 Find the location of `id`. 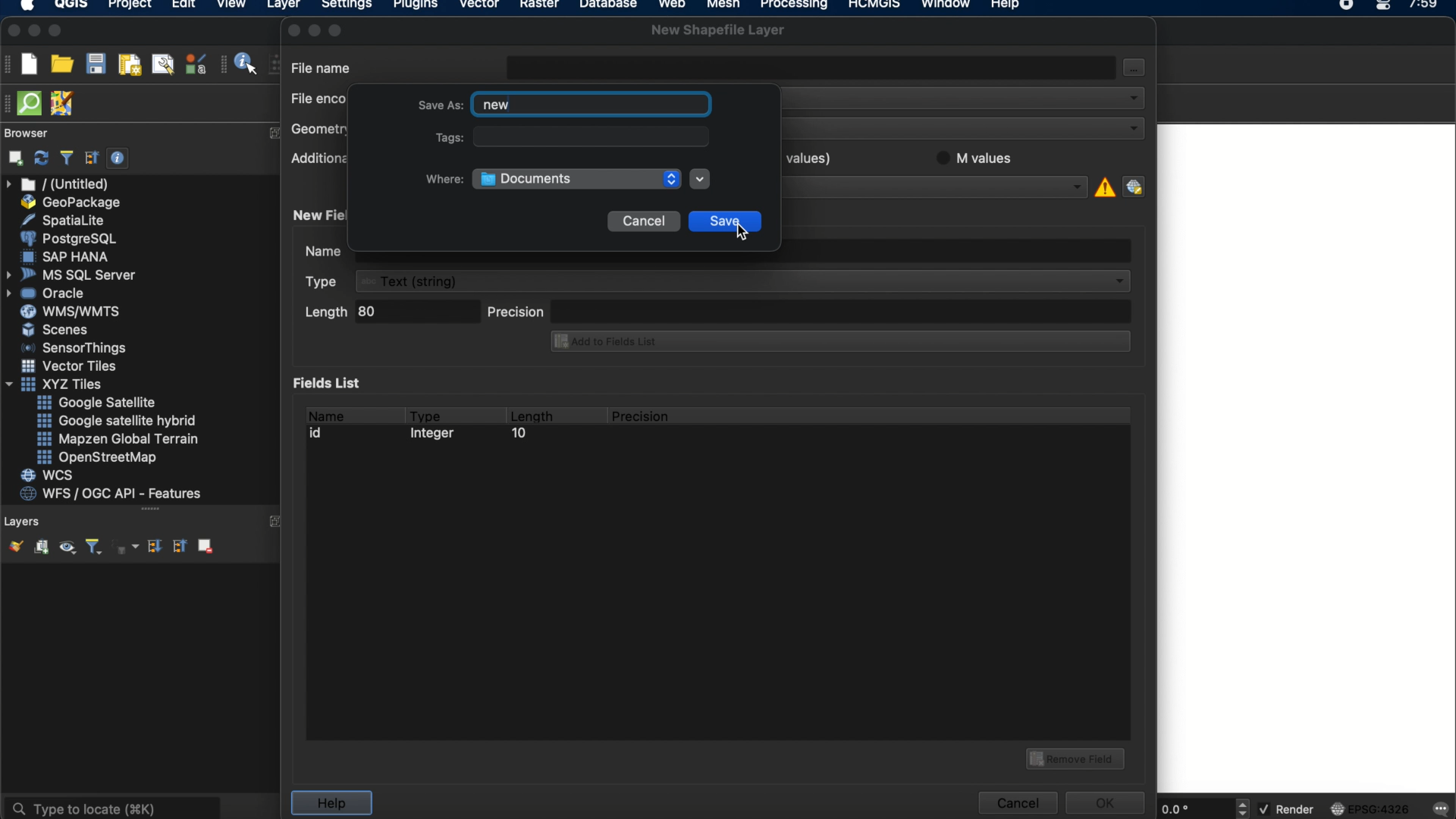

id is located at coordinates (320, 433).